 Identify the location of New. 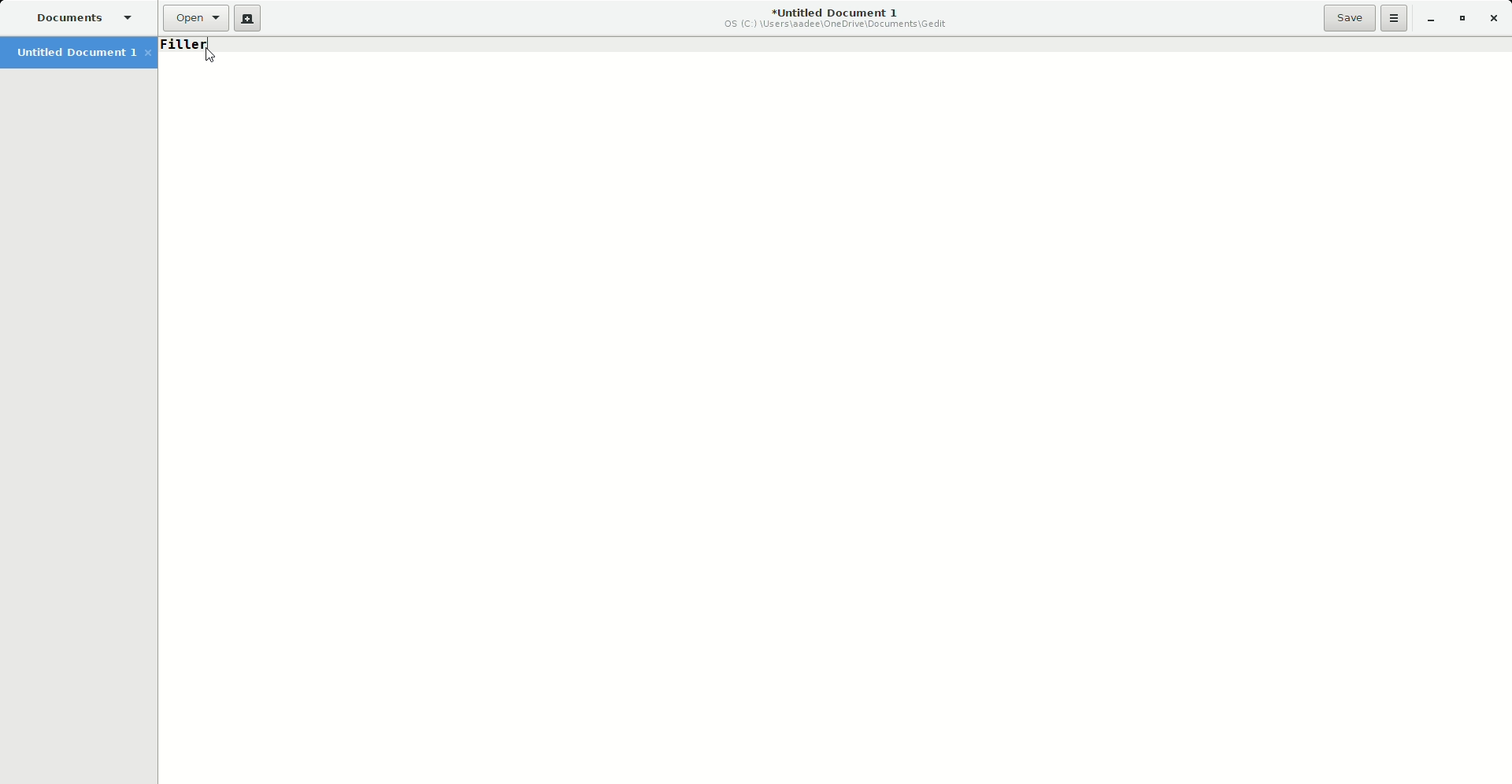
(248, 19).